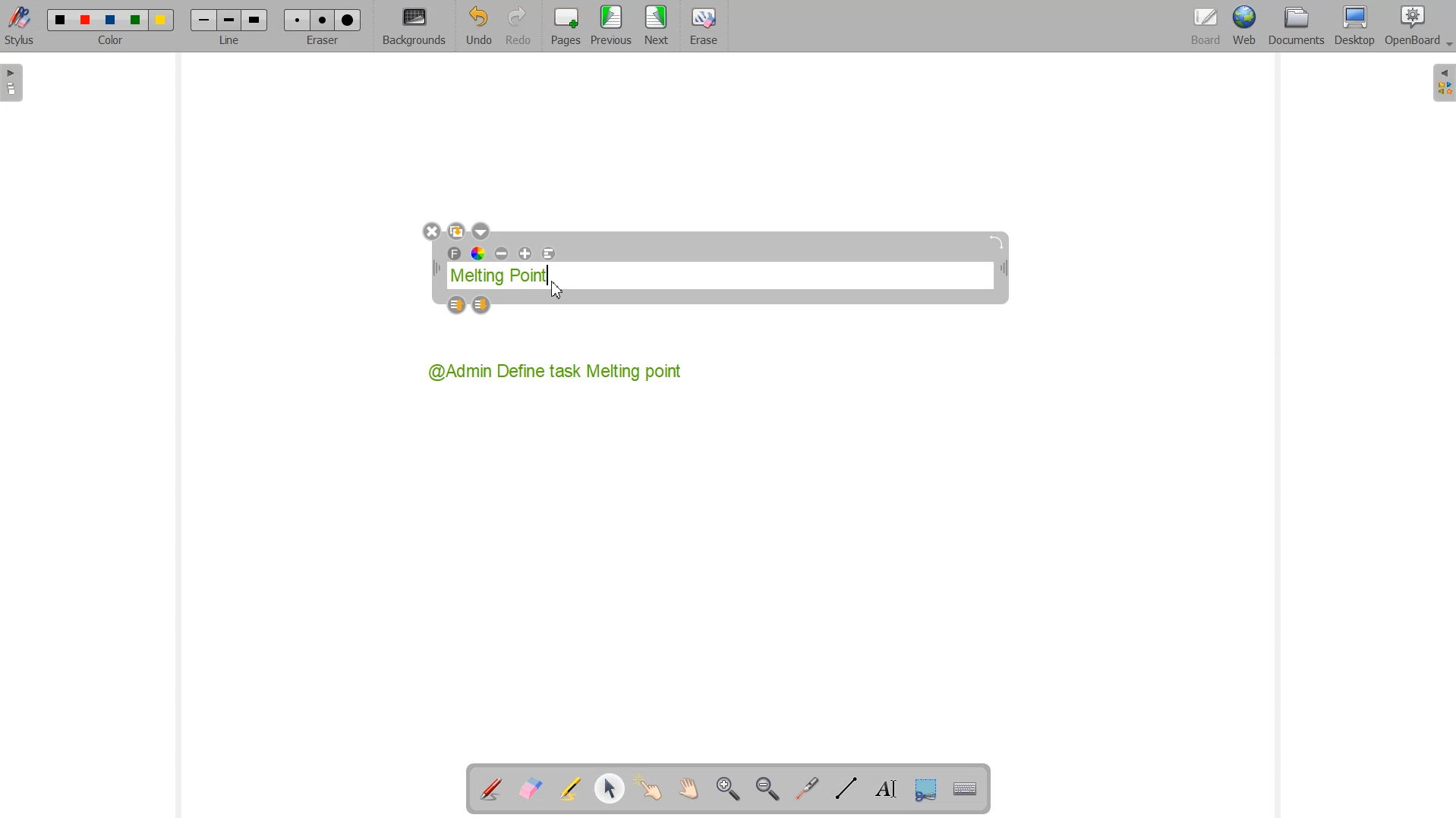  Describe the element at coordinates (518, 26) in the screenshot. I see `Redo` at that location.